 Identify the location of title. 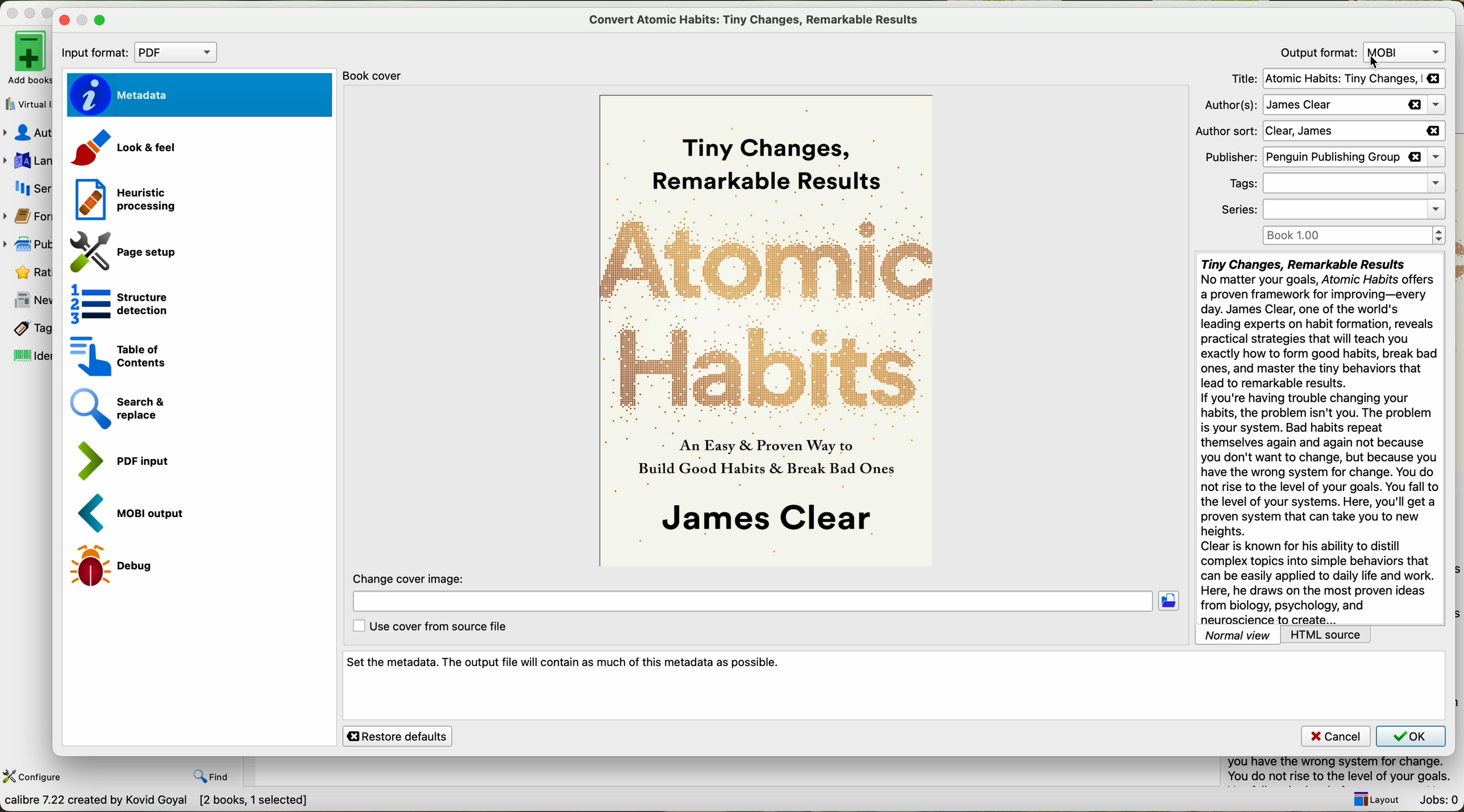
(1336, 78).